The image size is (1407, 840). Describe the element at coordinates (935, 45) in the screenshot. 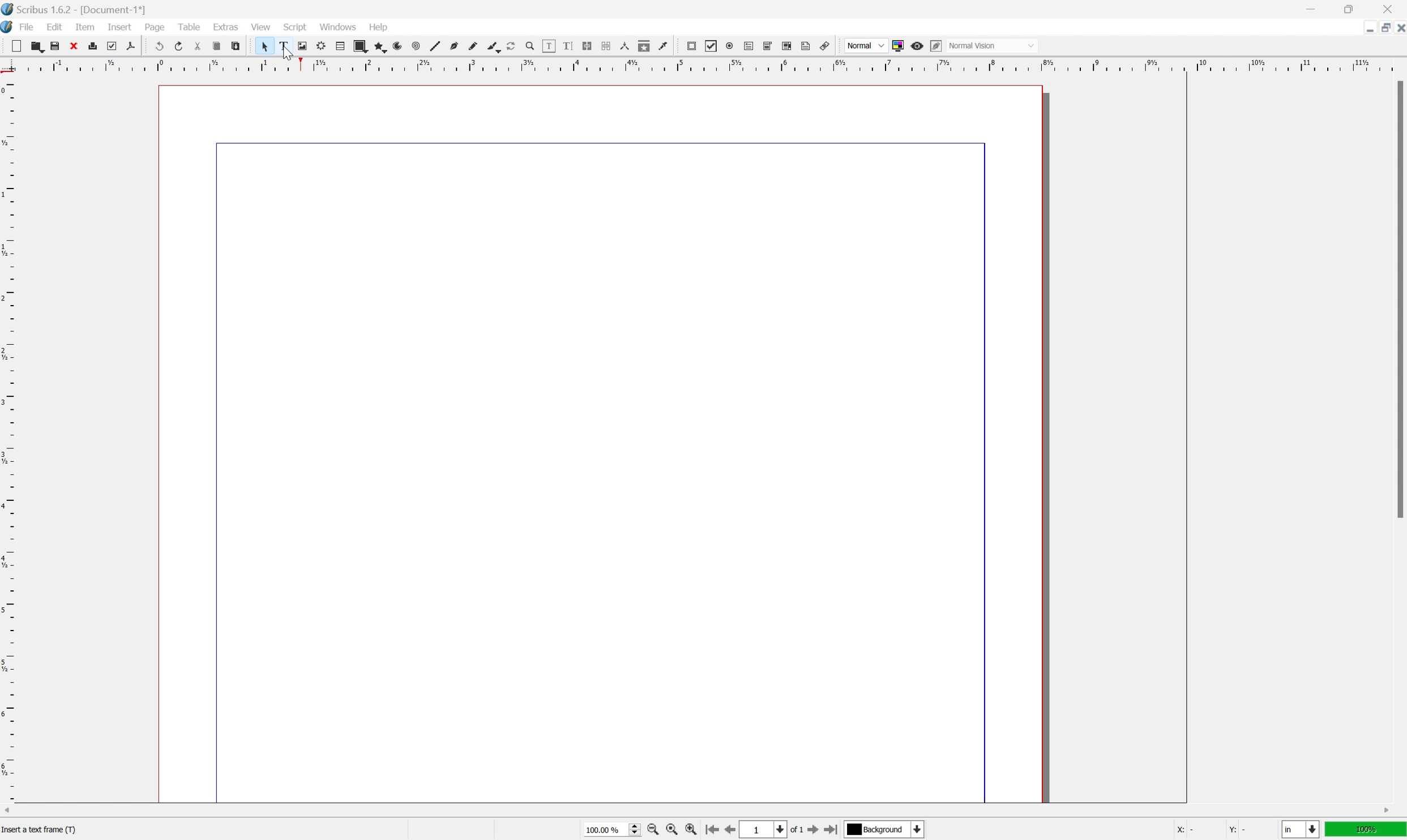

I see `edit in preview mode` at that location.